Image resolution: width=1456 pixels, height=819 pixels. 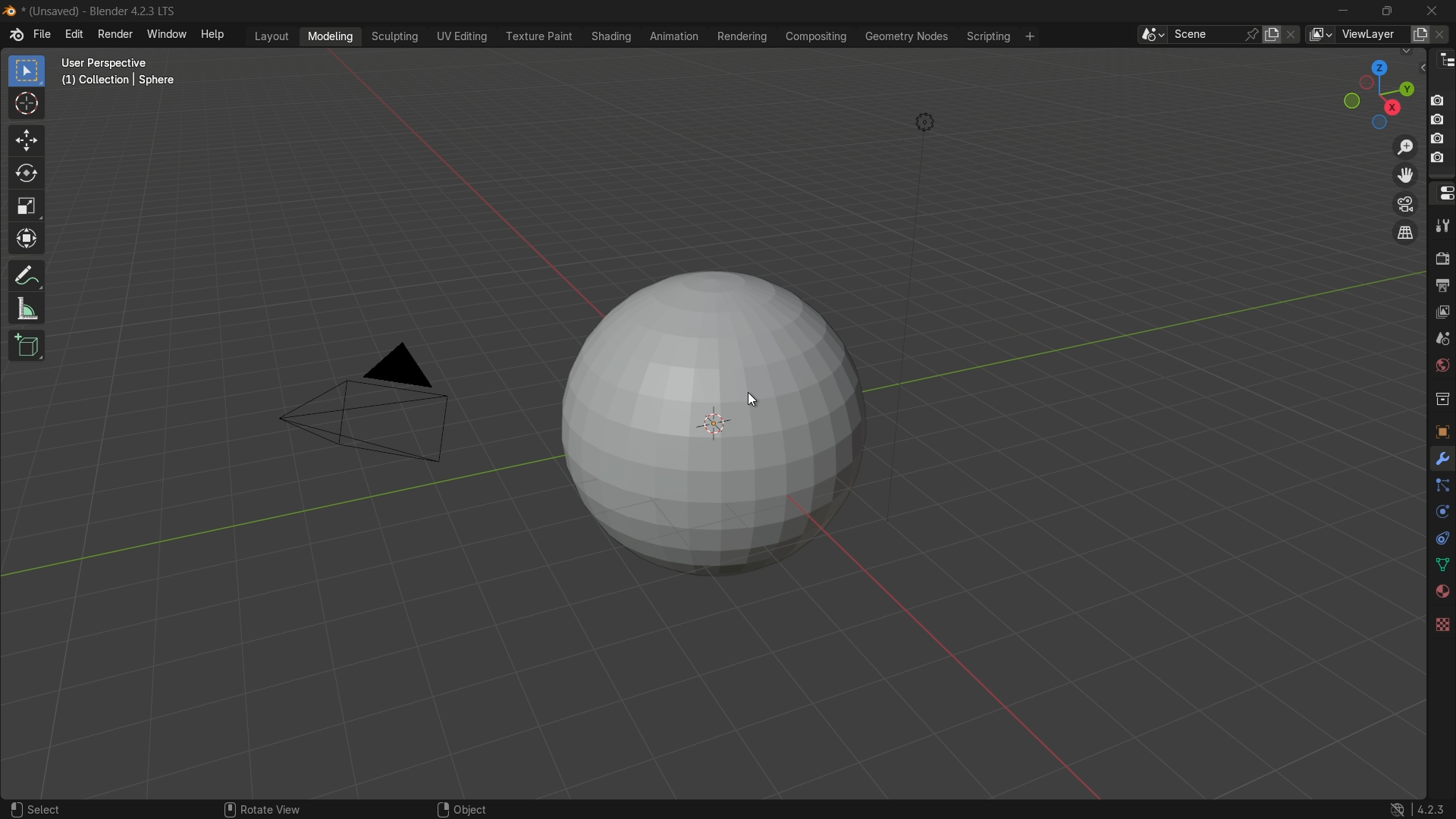 What do you see at coordinates (935, 121) in the screenshot?
I see `light` at bounding box center [935, 121].